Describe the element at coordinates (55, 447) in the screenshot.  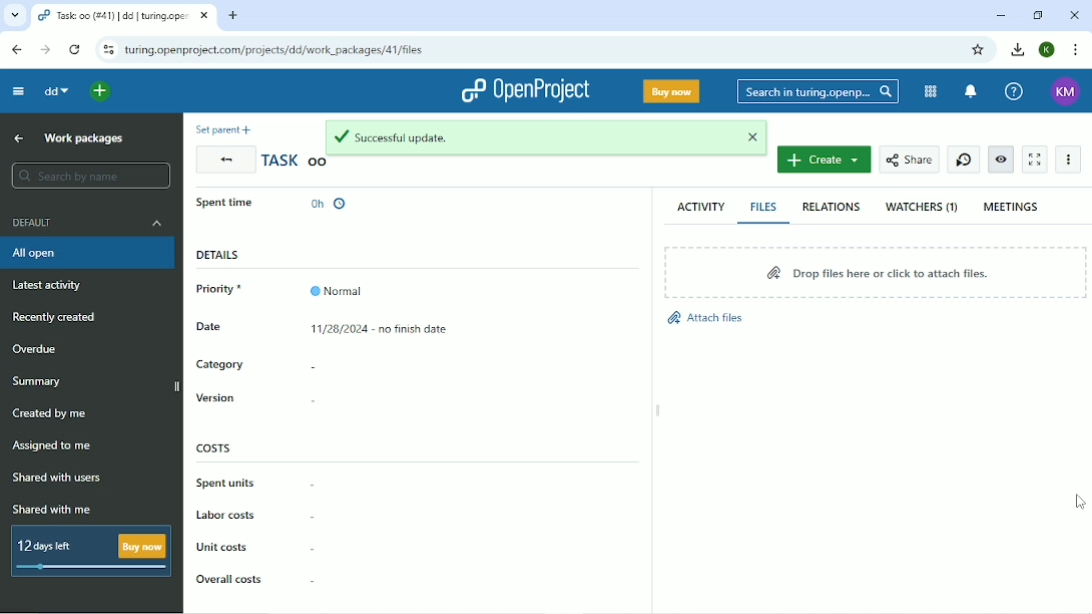
I see `Assigned to me` at that location.